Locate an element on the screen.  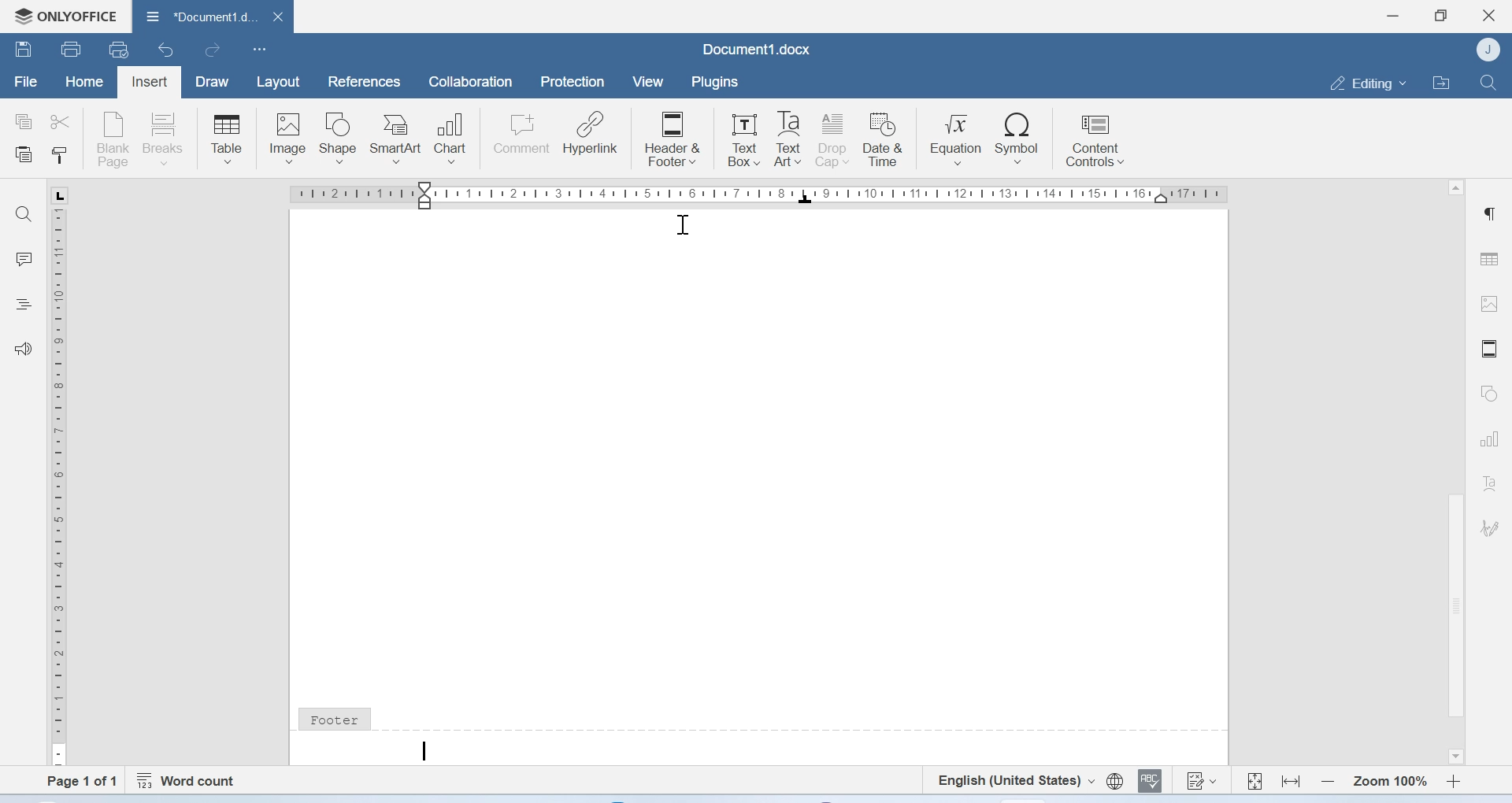
Shape is located at coordinates (340, 138).